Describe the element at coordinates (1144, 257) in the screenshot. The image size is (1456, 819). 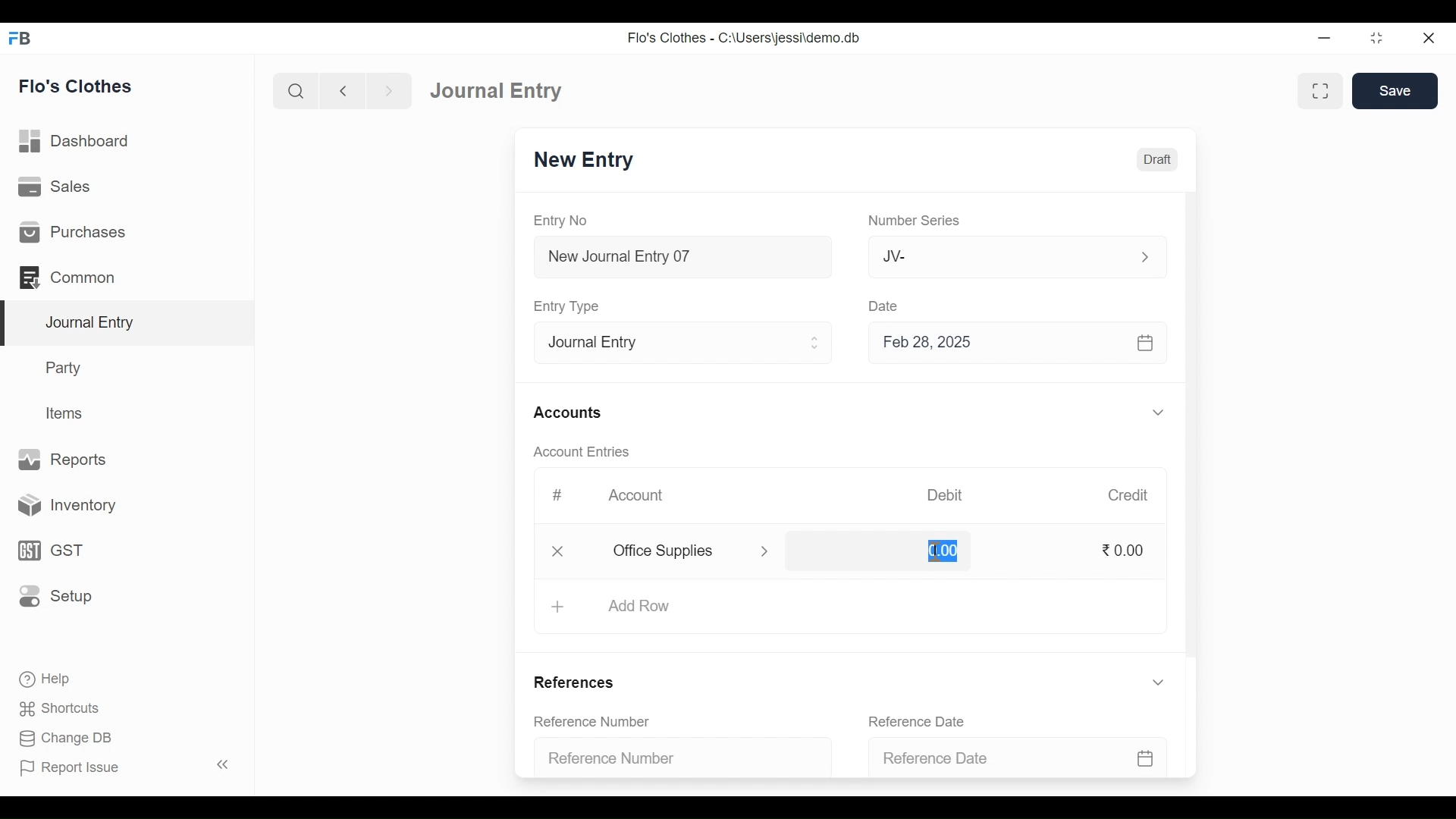
I see `Expand` at that location.